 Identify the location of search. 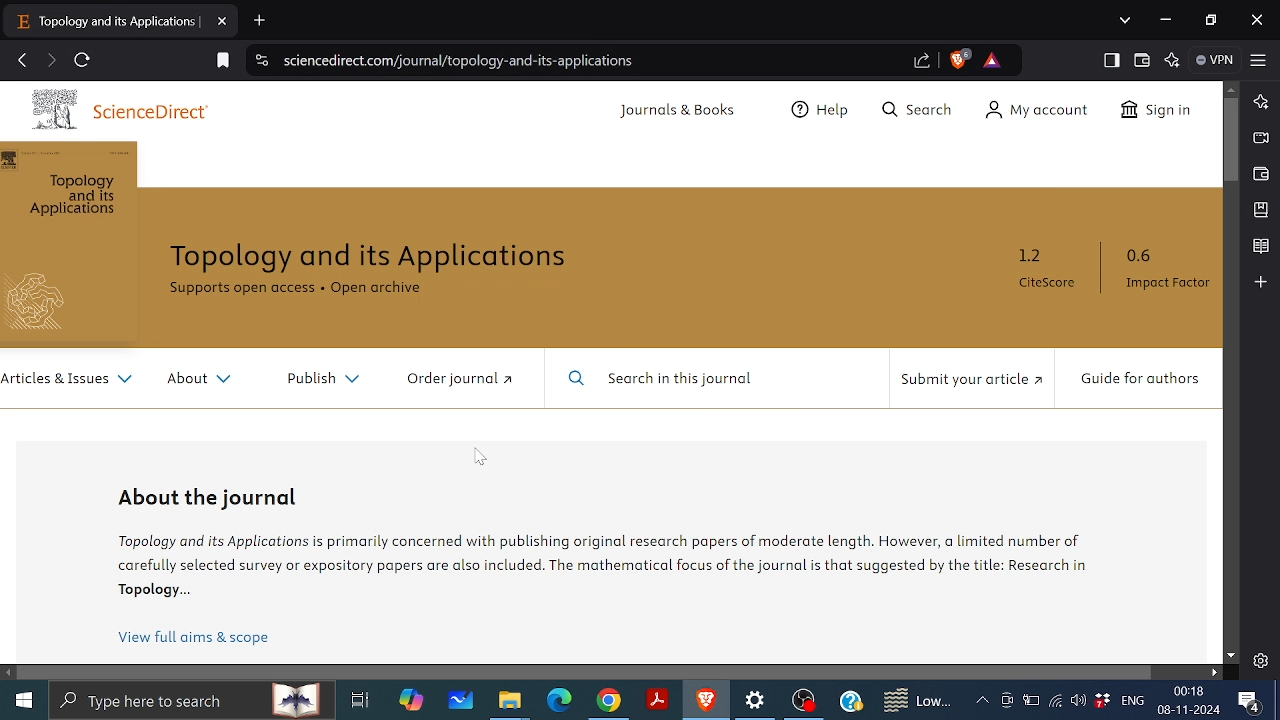
(196, 702).